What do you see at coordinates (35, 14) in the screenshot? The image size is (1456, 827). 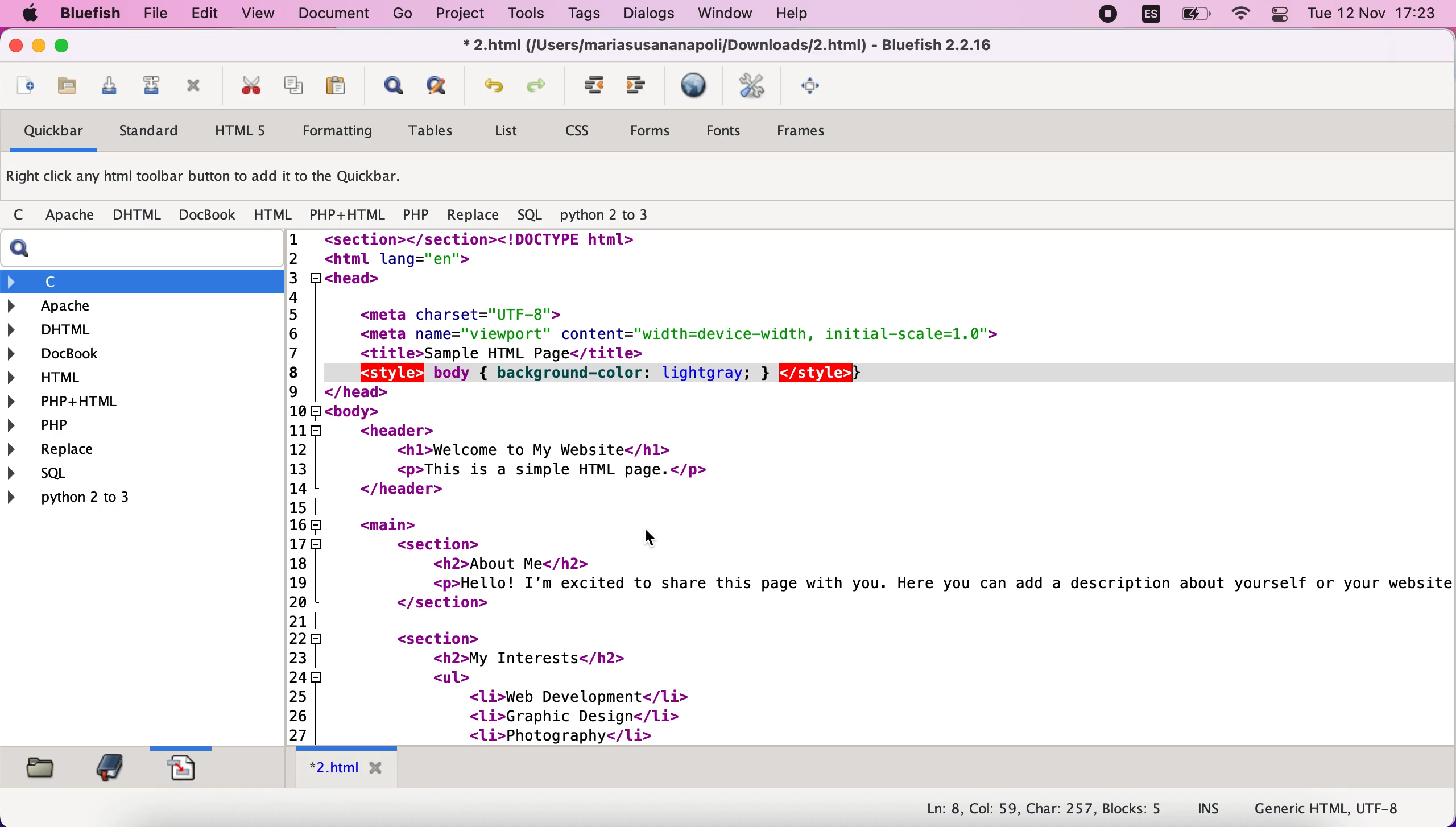 I see `mac logo` at bounding box center [35, 14].